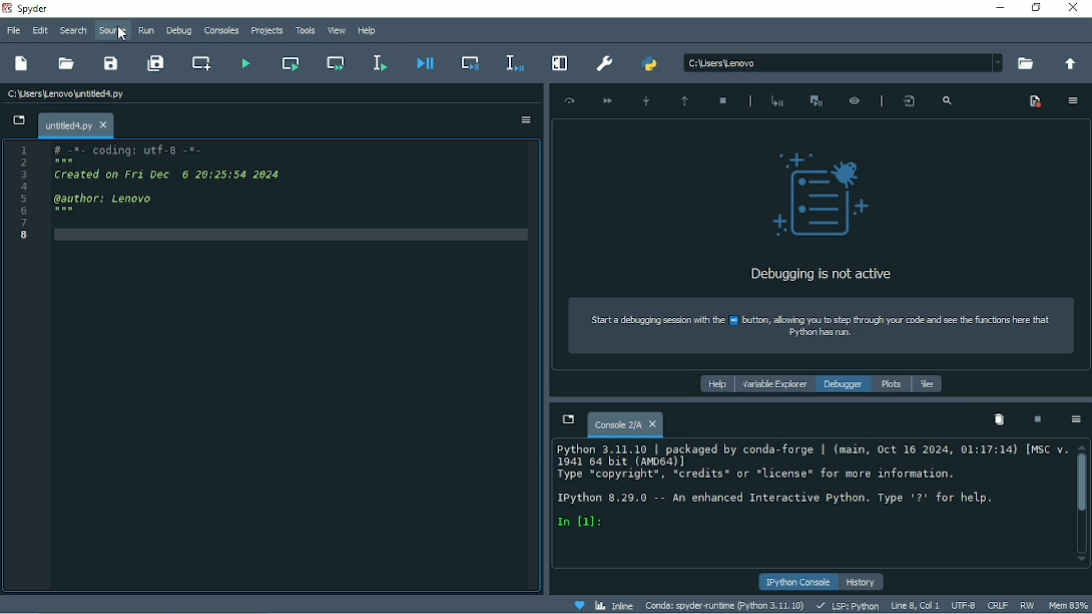  I want to click on File, so click(14, 30).